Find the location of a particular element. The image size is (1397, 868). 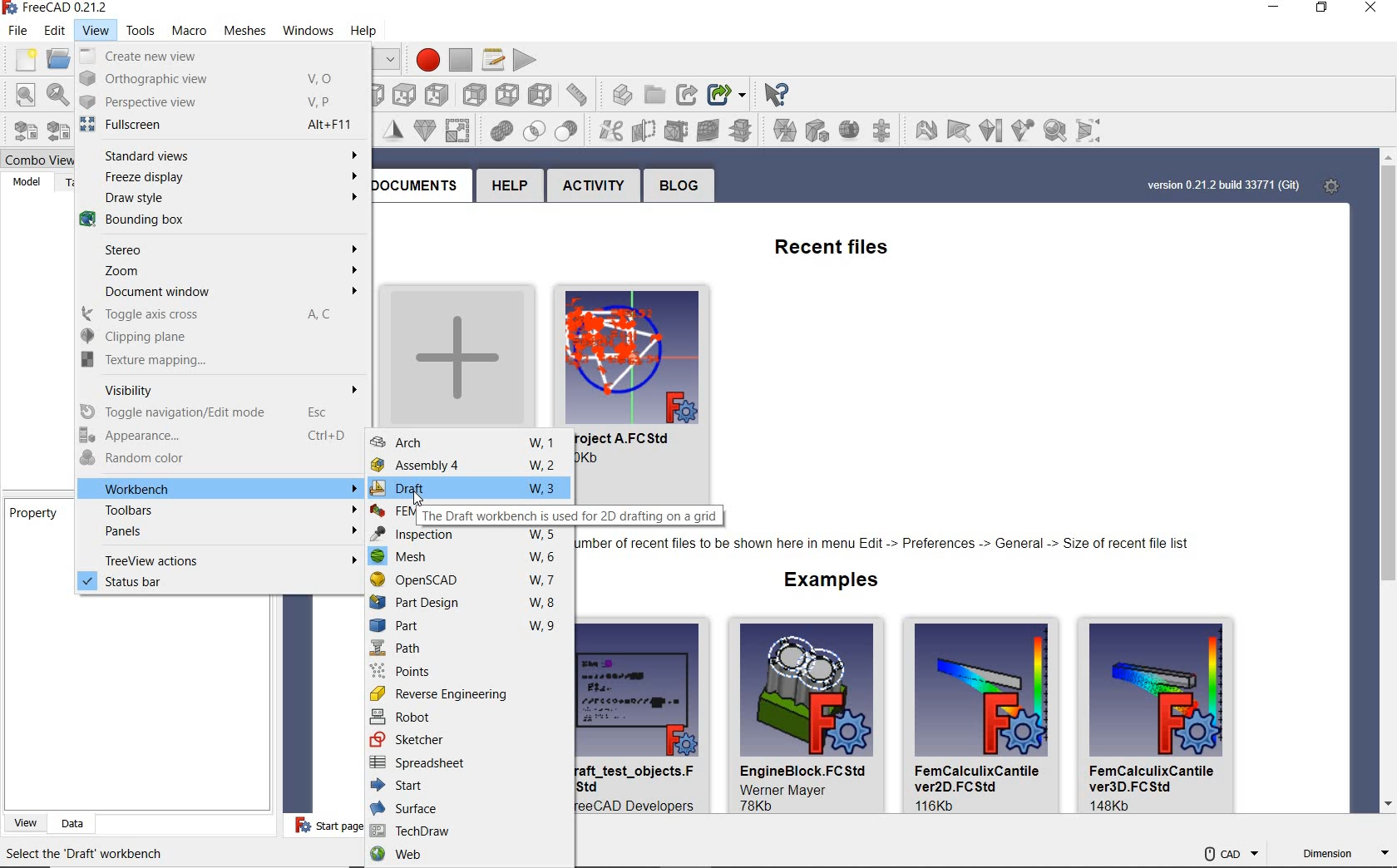

intersection is located at coordinates (501, 133).